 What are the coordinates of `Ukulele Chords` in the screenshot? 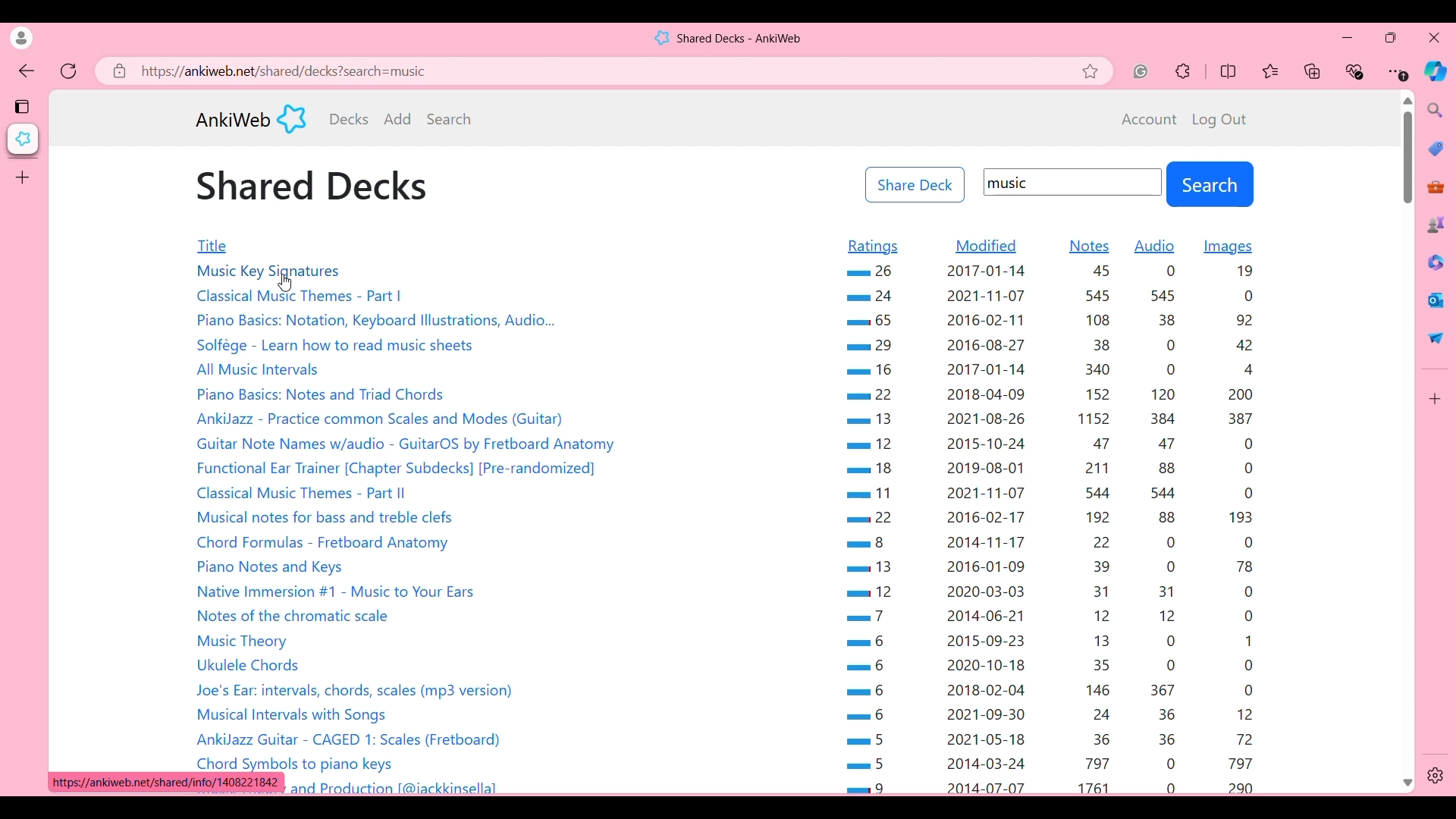 It's located at (253, 667).